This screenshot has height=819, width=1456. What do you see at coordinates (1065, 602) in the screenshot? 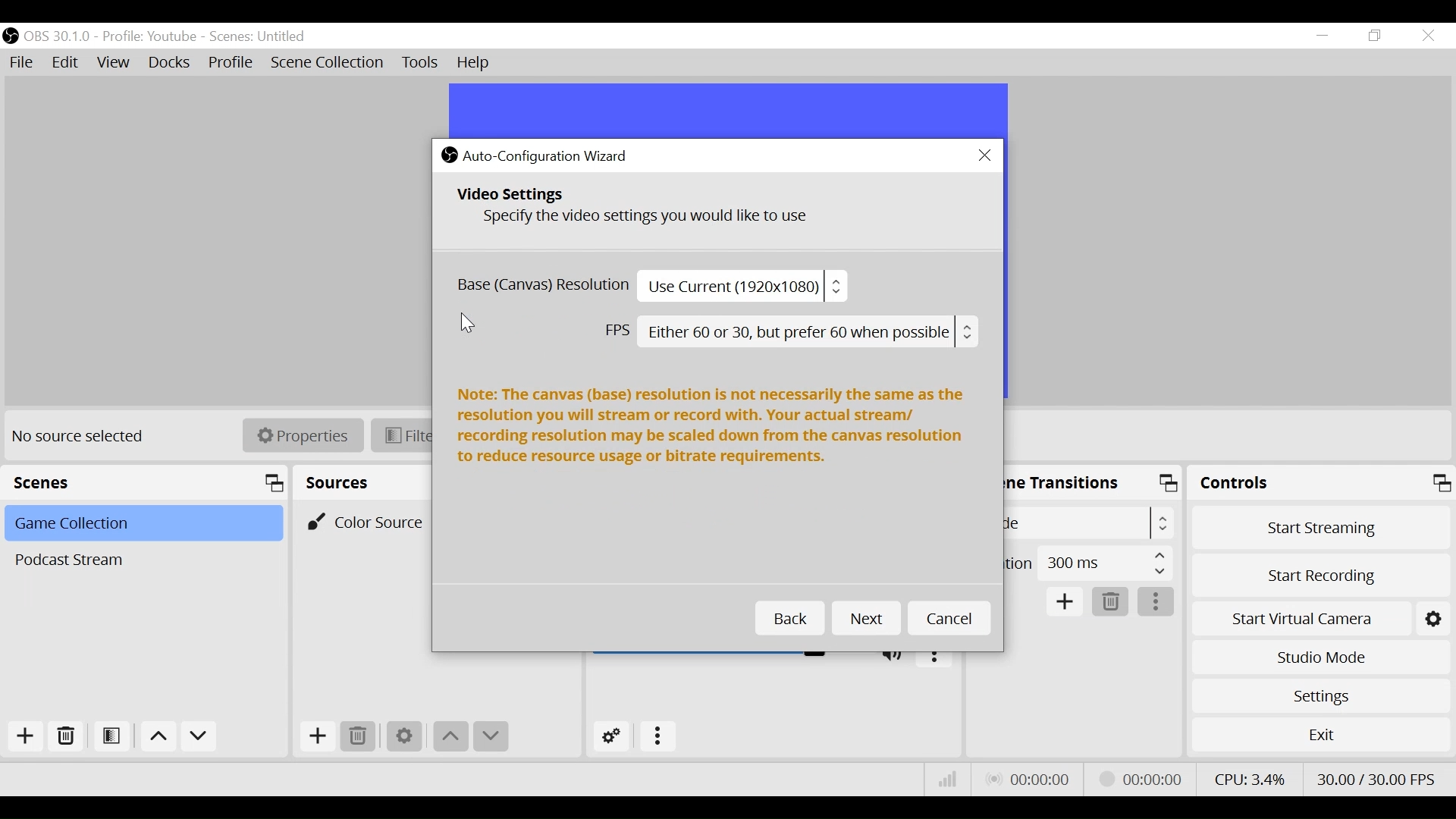
I see `Add` at bounding box center [1065, 602].